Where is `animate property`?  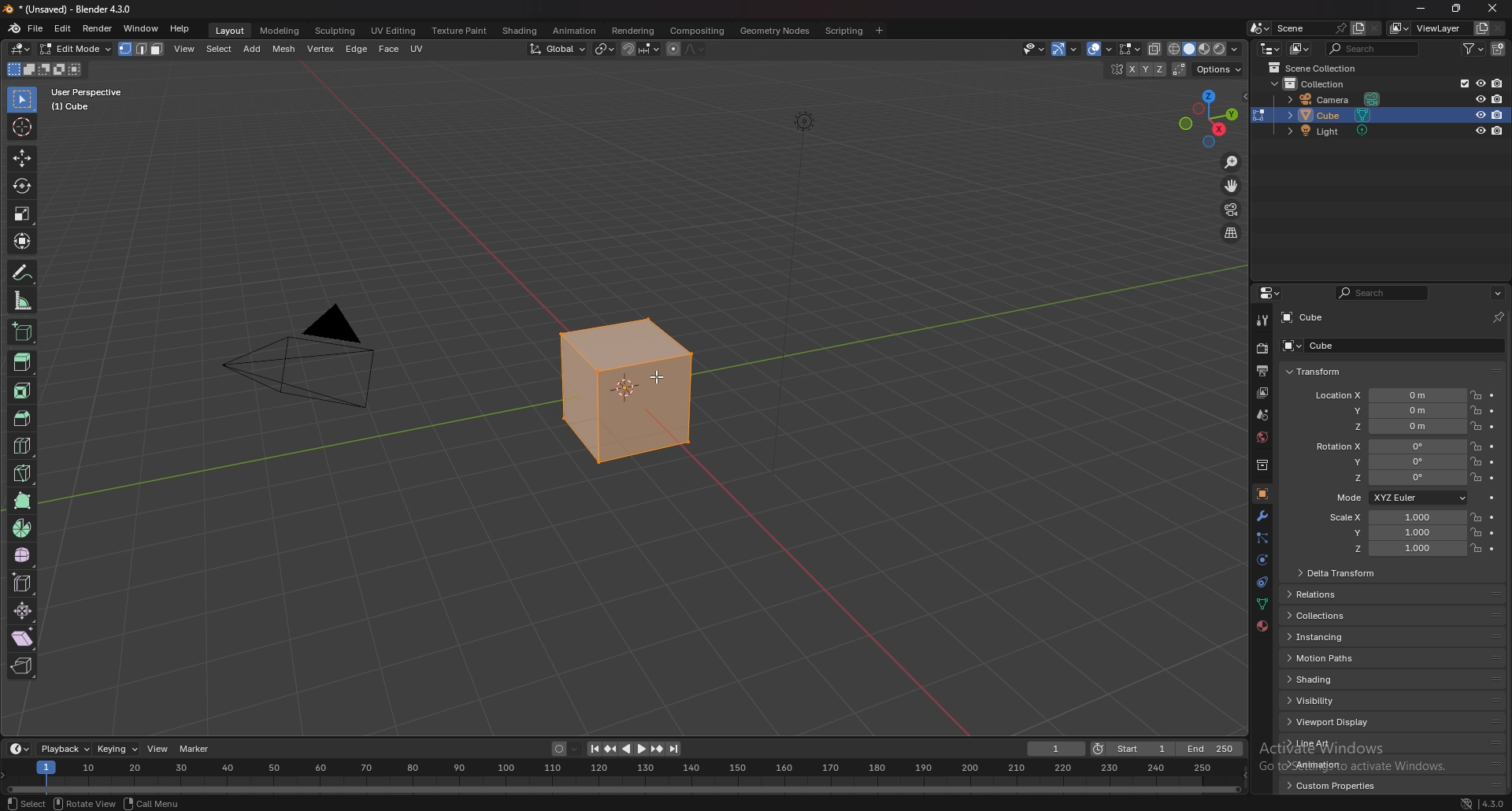 animate property is located at coordinates (1493, 517).